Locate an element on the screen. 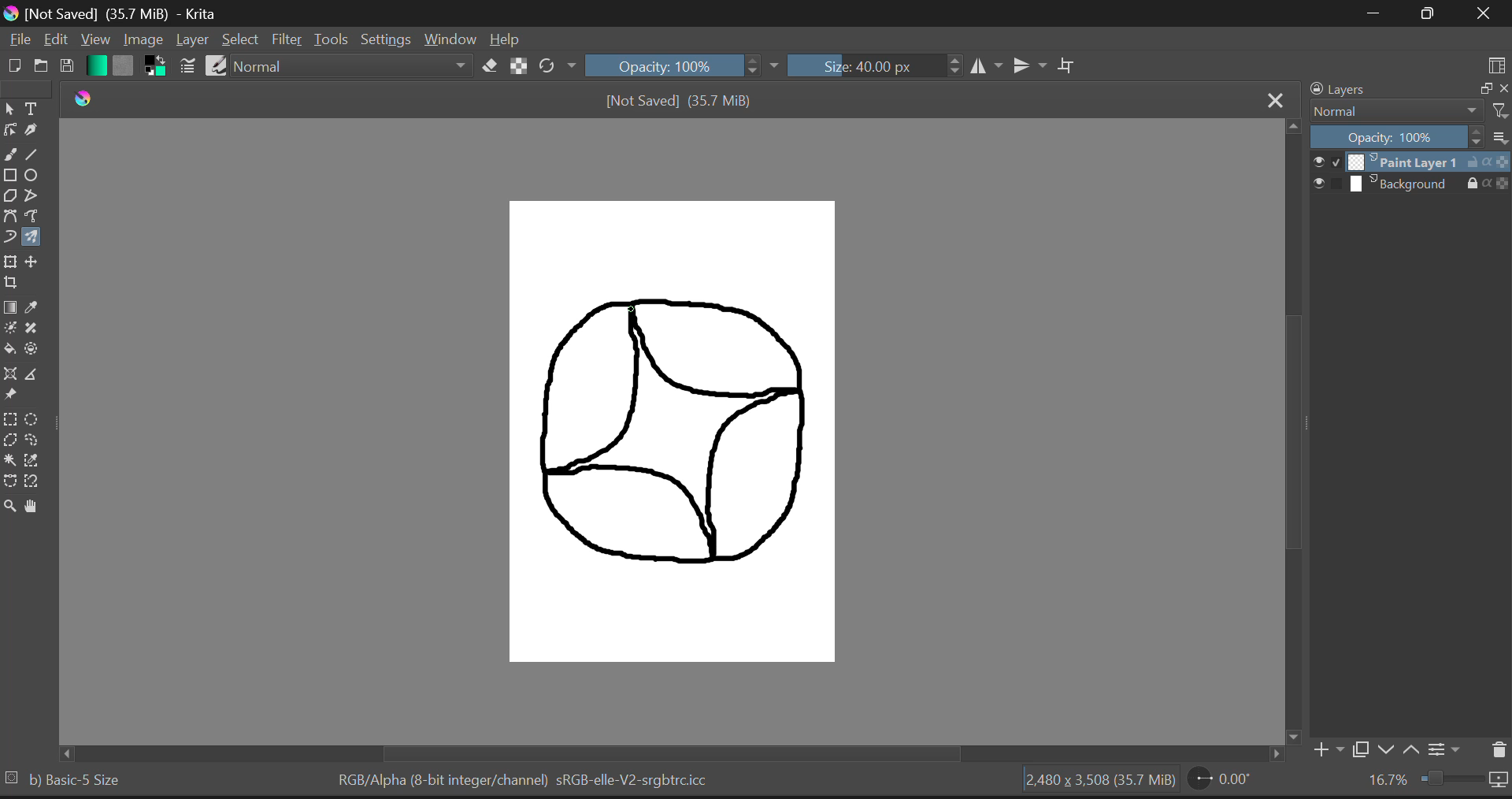 The image size is (1512, 799). Measurements is located at coordinates (38, 377).